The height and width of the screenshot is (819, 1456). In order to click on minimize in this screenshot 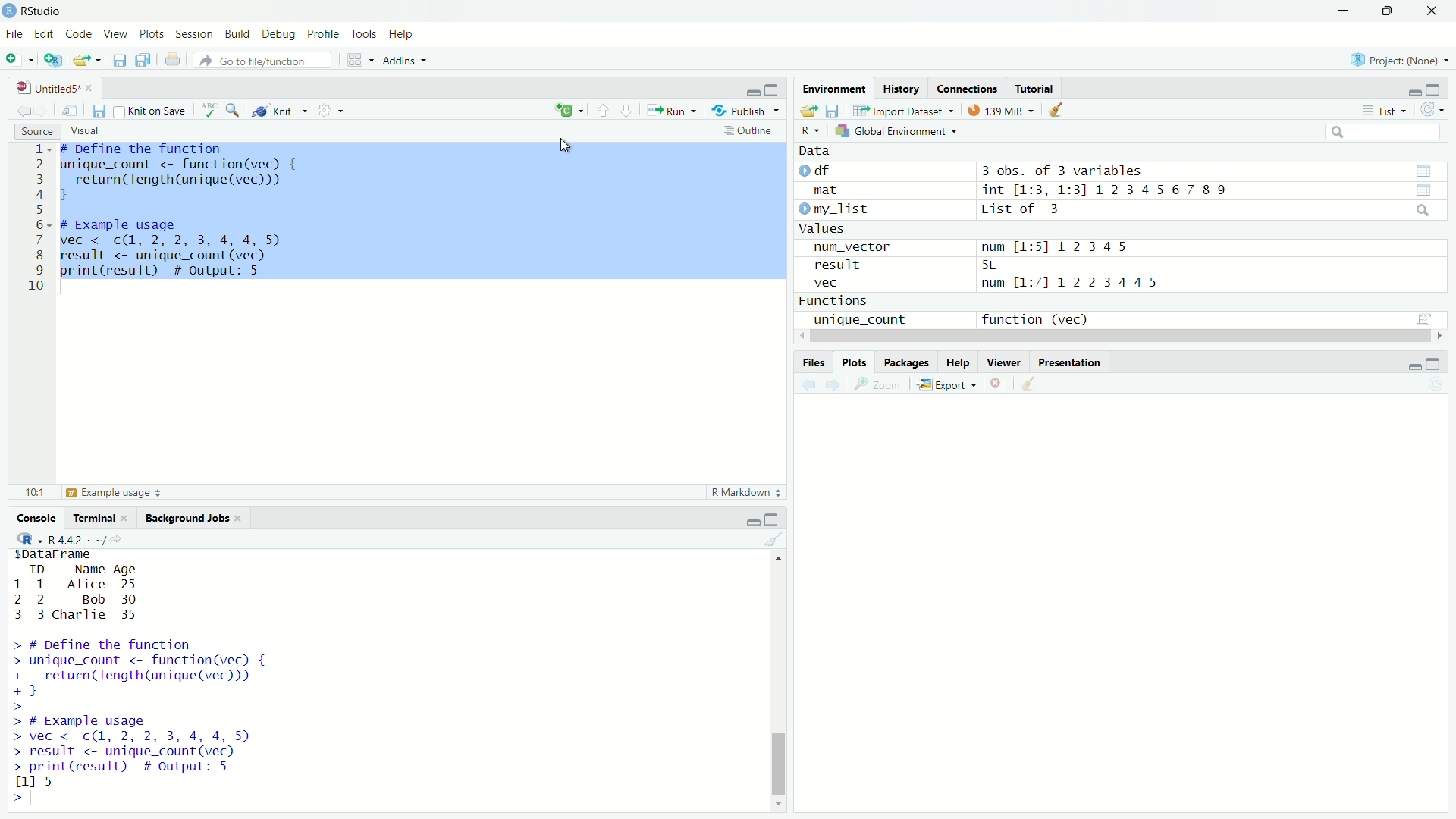, I will do `click(1413, 367)`.